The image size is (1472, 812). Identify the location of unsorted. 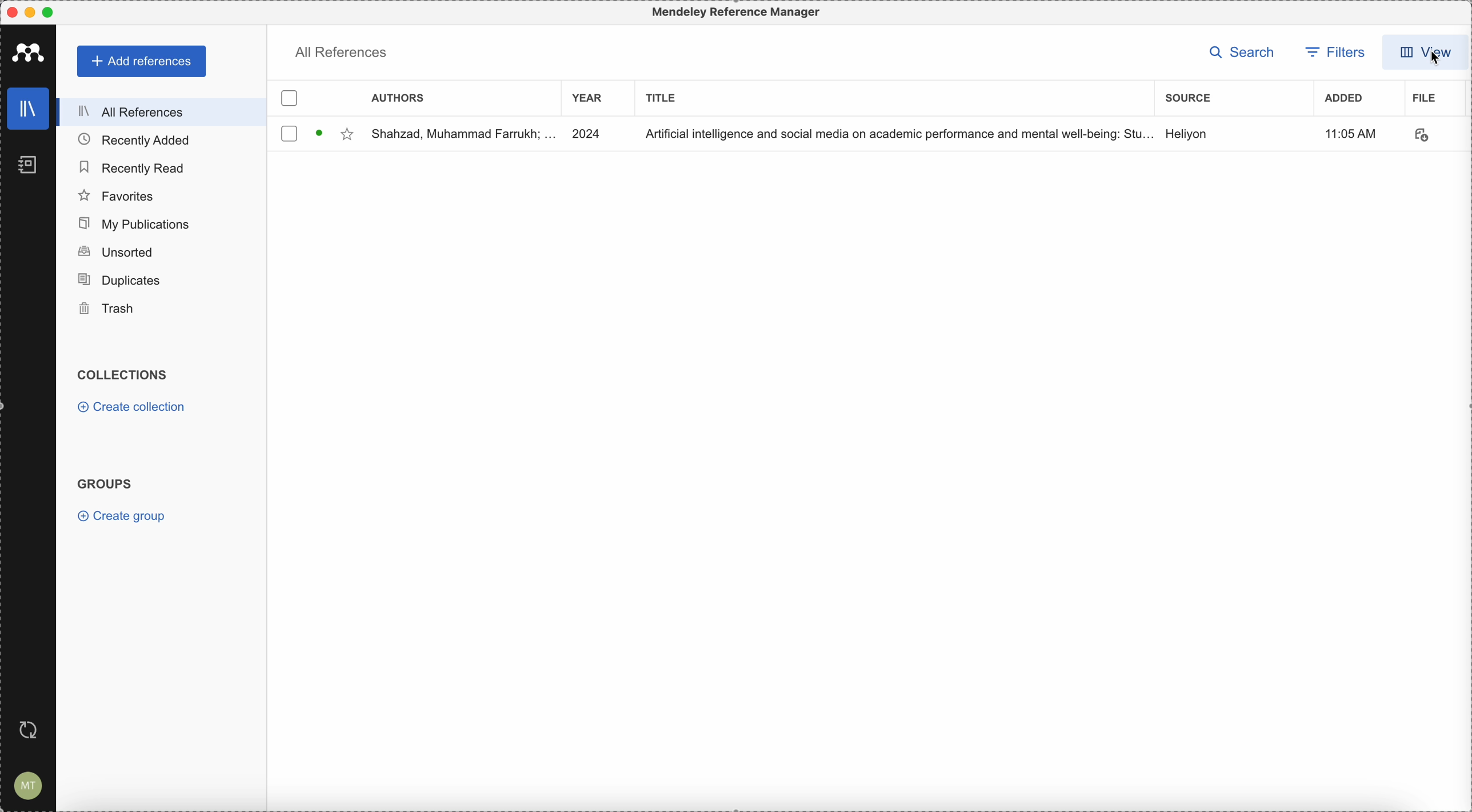
(115, 250).